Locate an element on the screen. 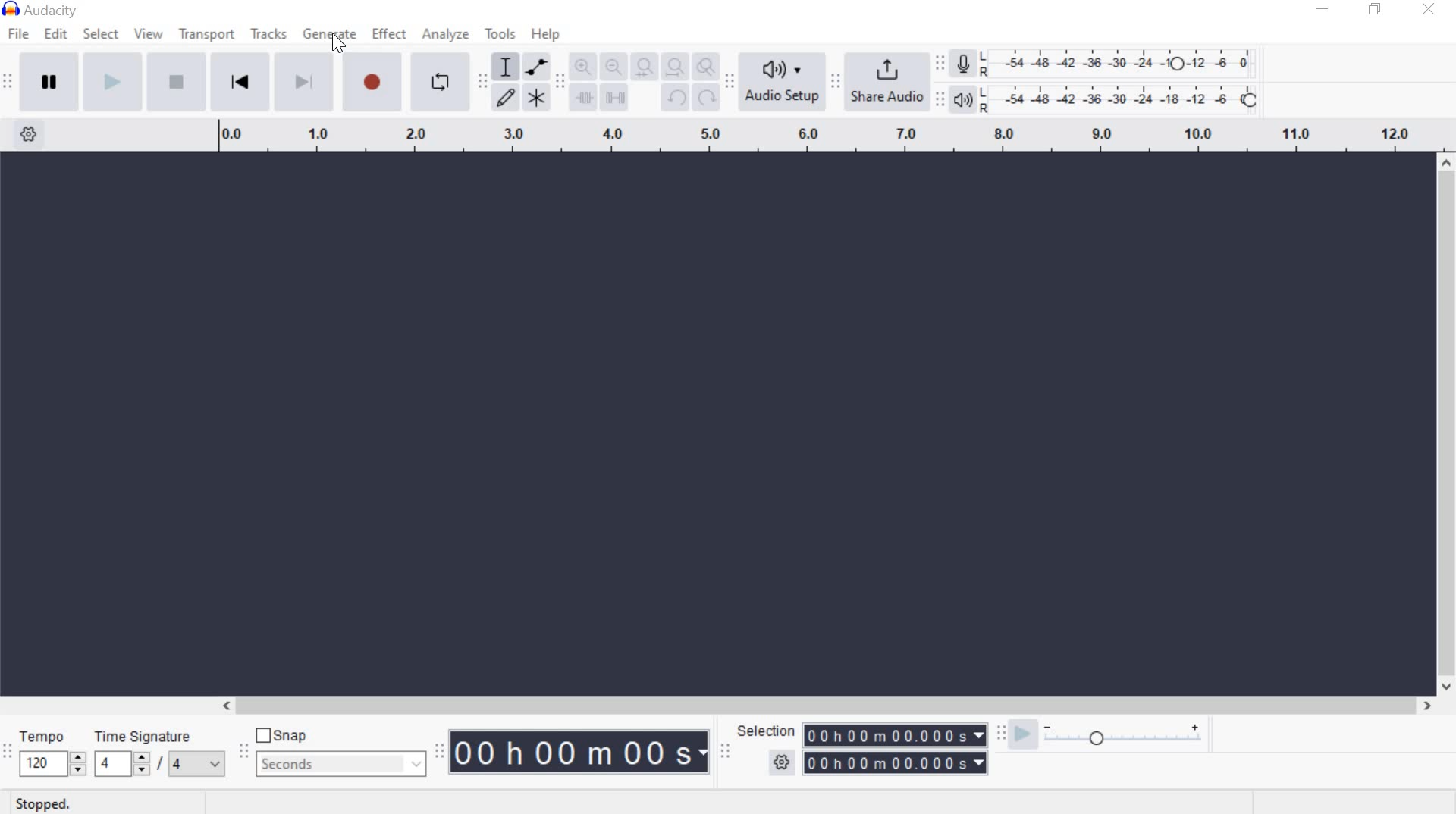 This screenshot has height=814, width=1456. Transport toolbar is located at coordinates (8, 84).